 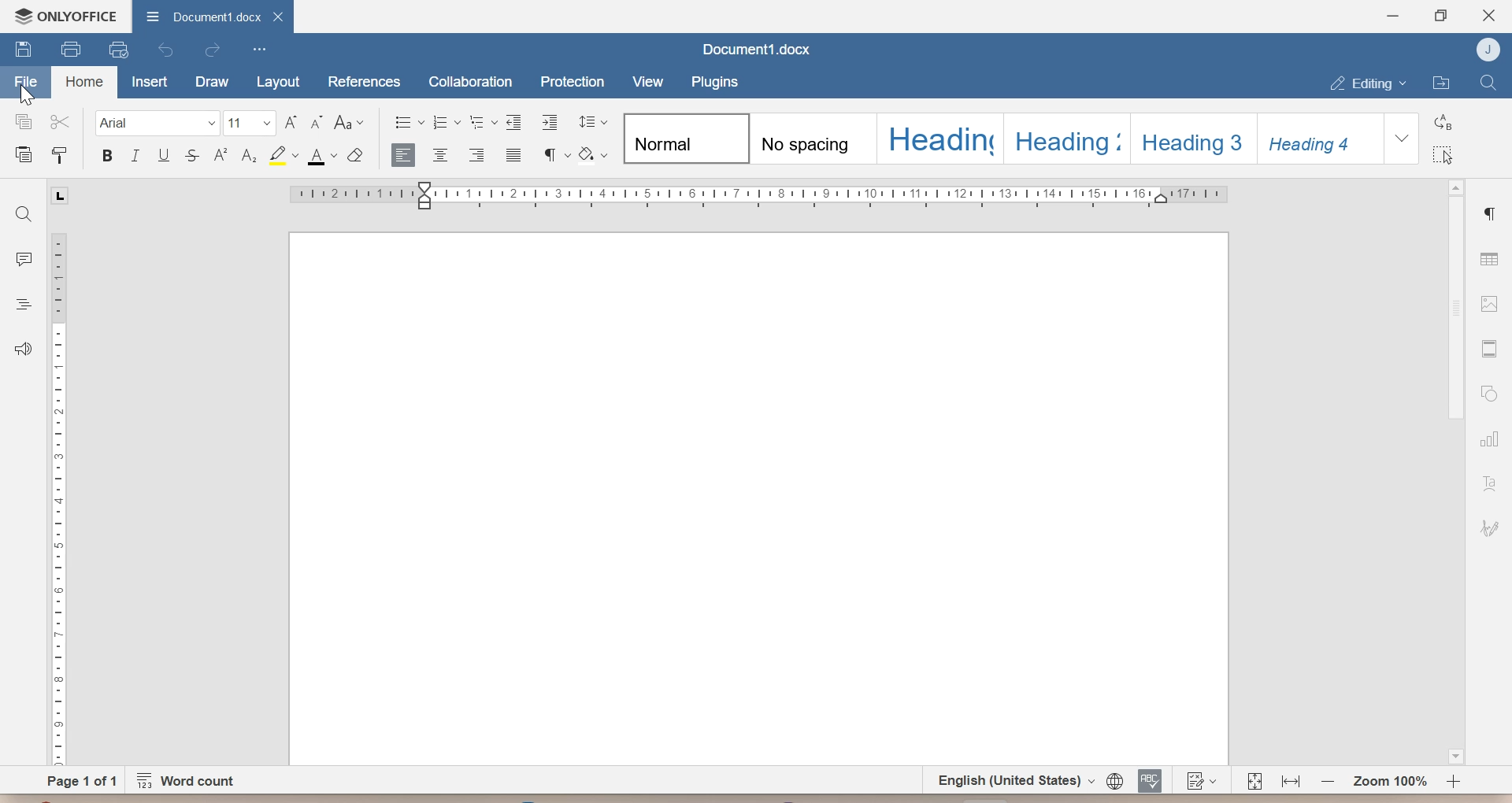 What do you see at coordinates (169, 50) in the screenshot?
I see `Undo` at bounding box center [169, 50].